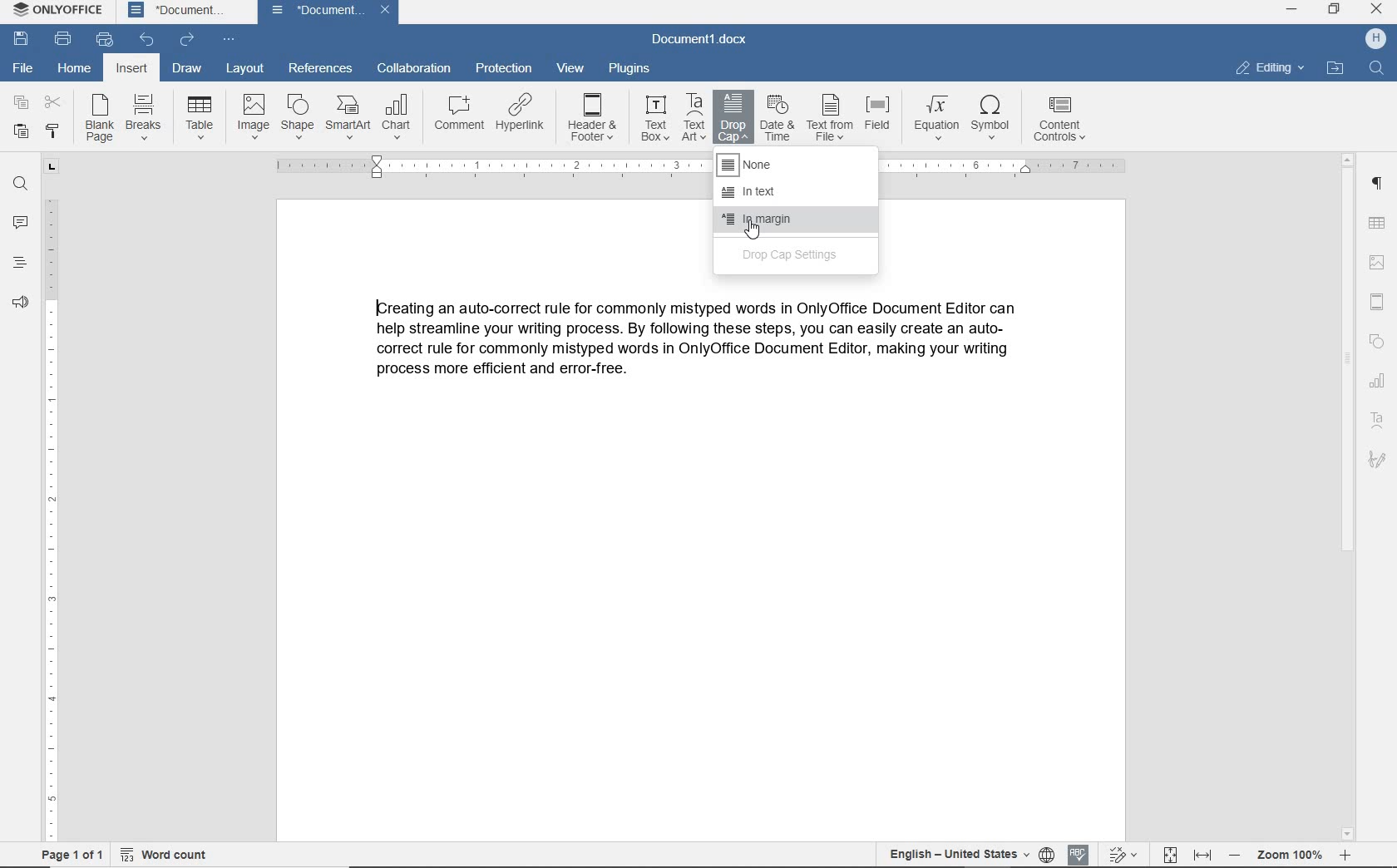 The height and width of the screenshot is (868, 1397). Describe the element at coordinates (1335, 67) in the screenshot. I see `open file location` at that location.